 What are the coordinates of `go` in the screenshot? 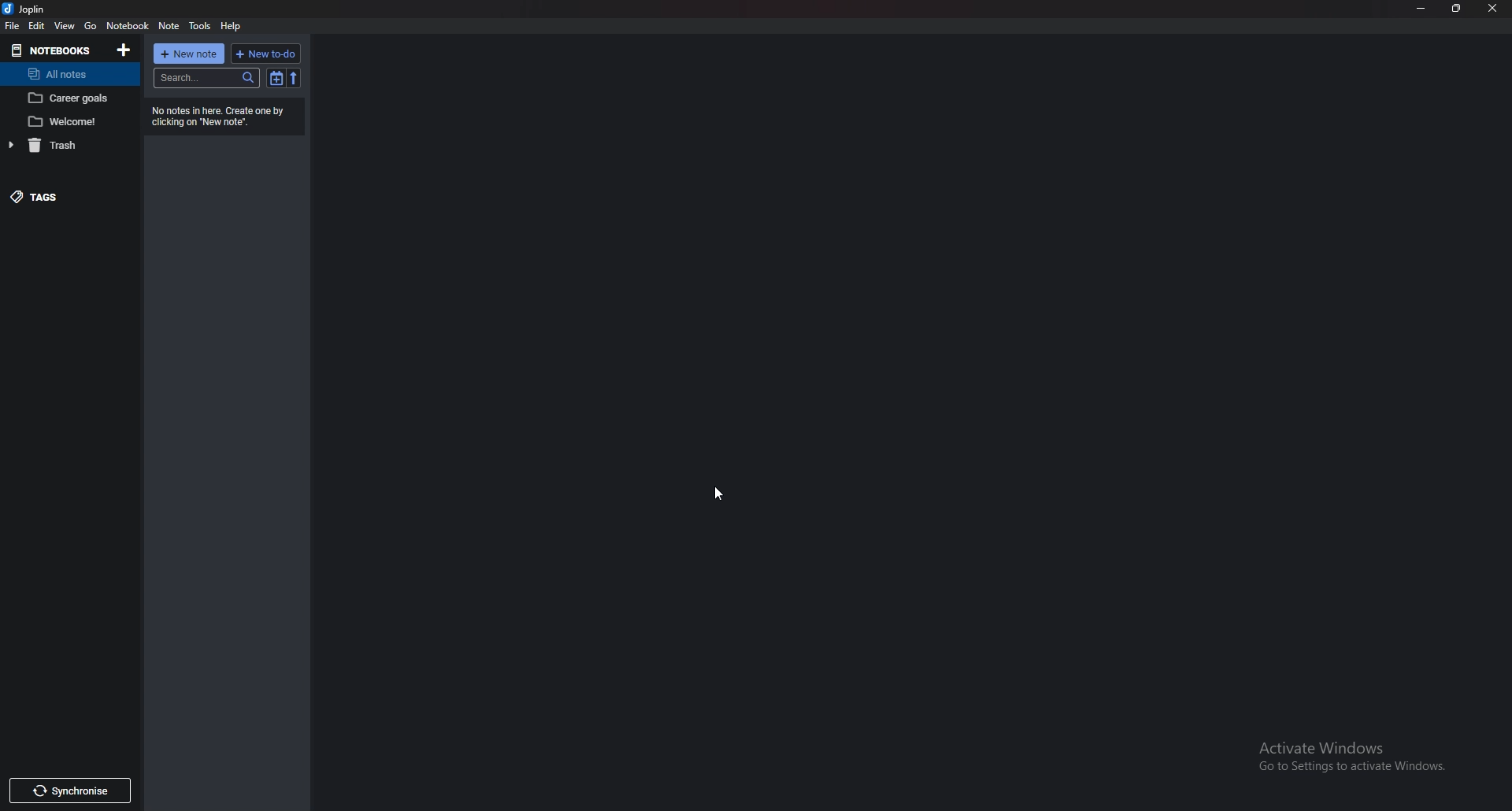 It's located at (90, 26).